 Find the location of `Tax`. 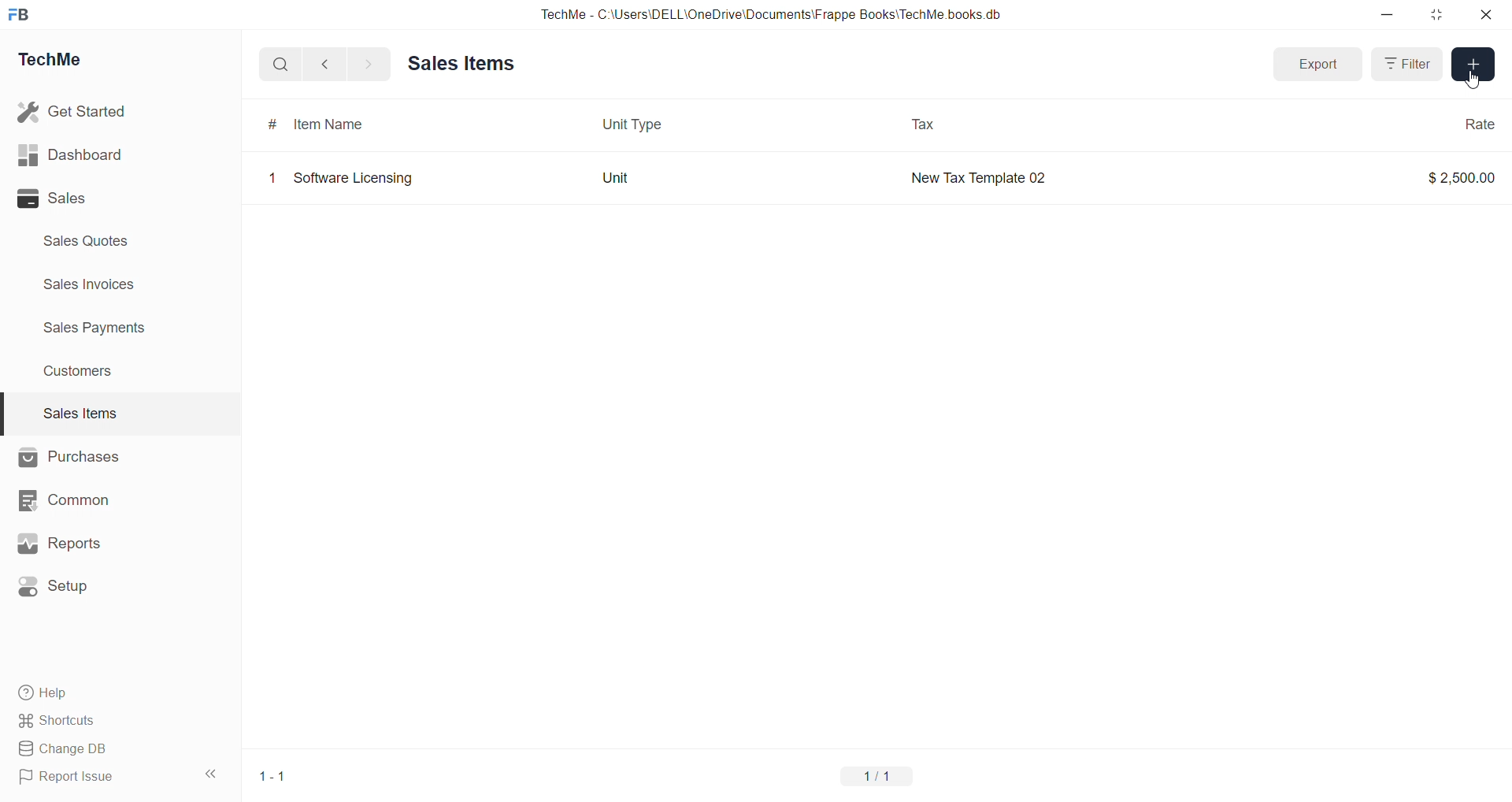

Tax is located at coordinates (923, 124).